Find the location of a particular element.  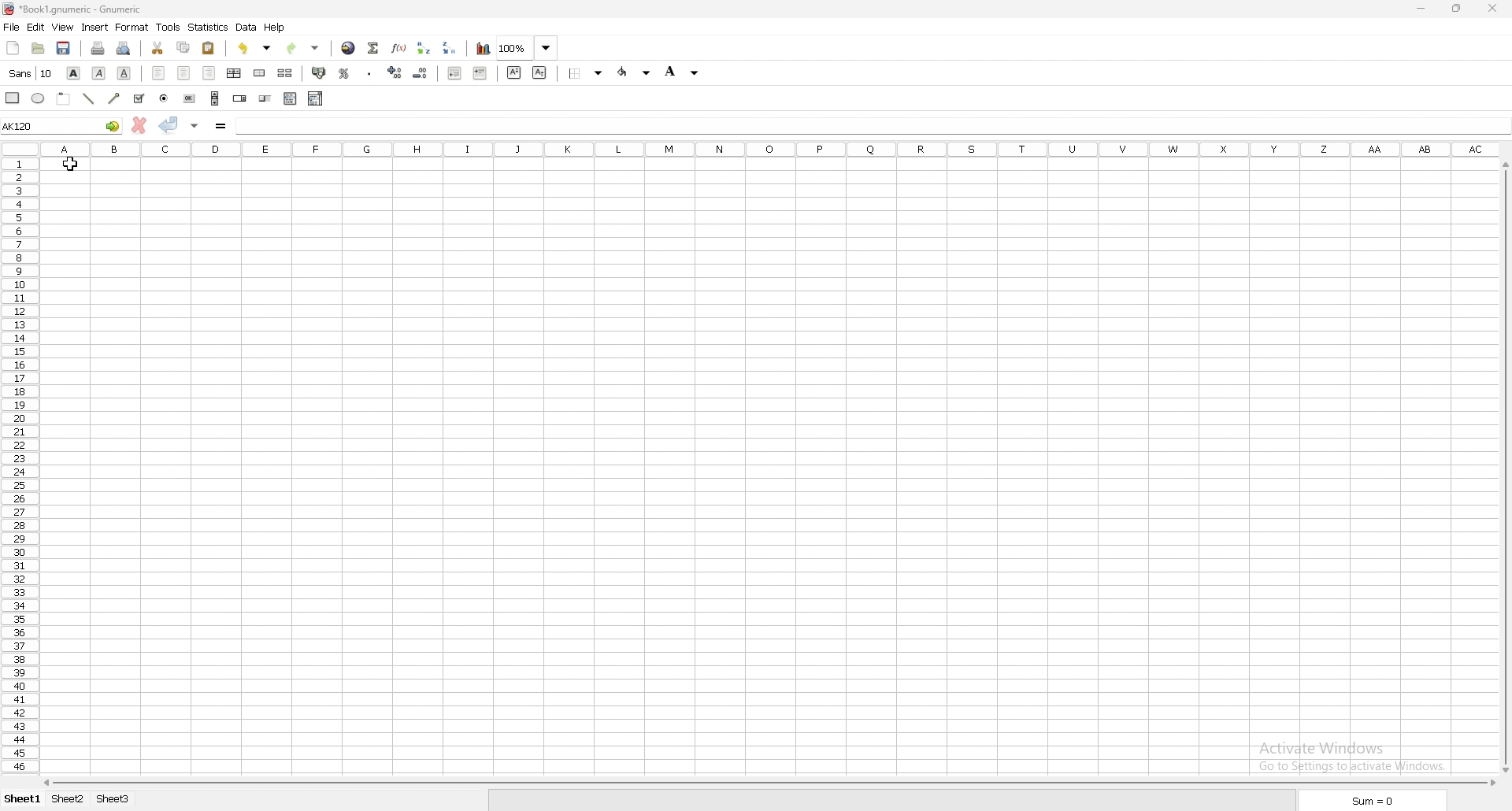

resize is located at coordinates (1455, 9).